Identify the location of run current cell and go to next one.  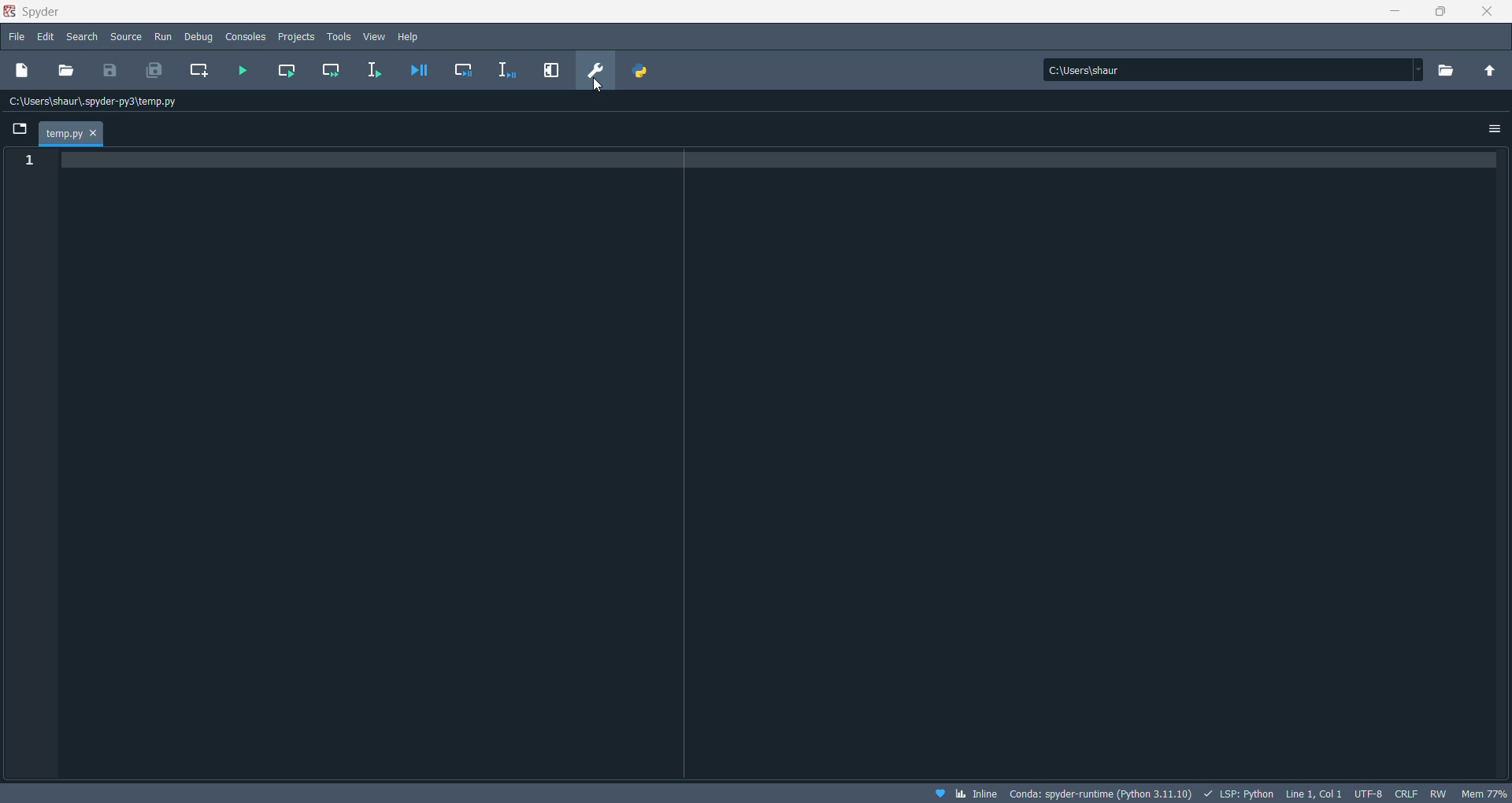
(333, 71).